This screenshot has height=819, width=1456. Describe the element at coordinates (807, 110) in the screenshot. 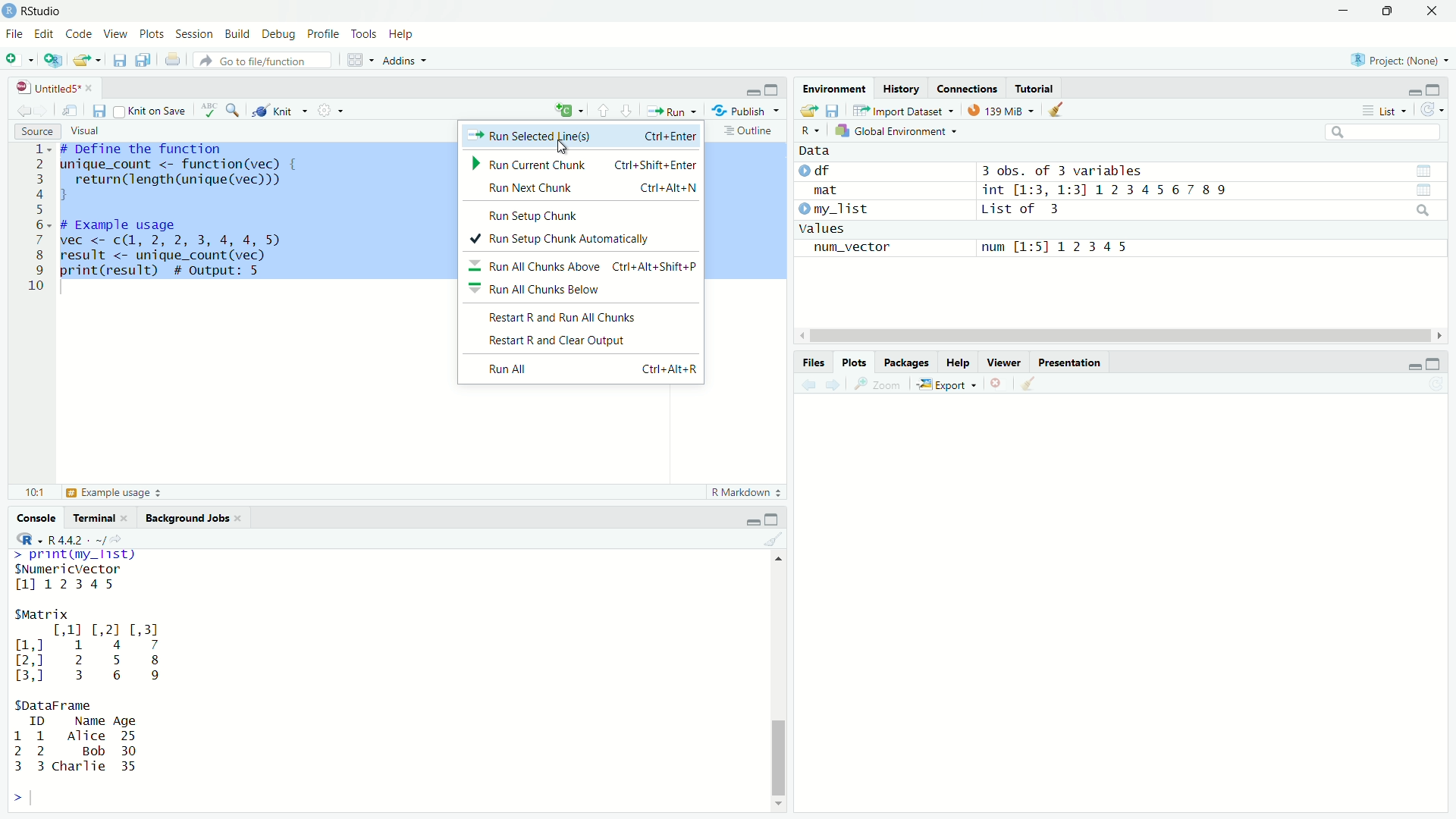

I see `open` at that location.